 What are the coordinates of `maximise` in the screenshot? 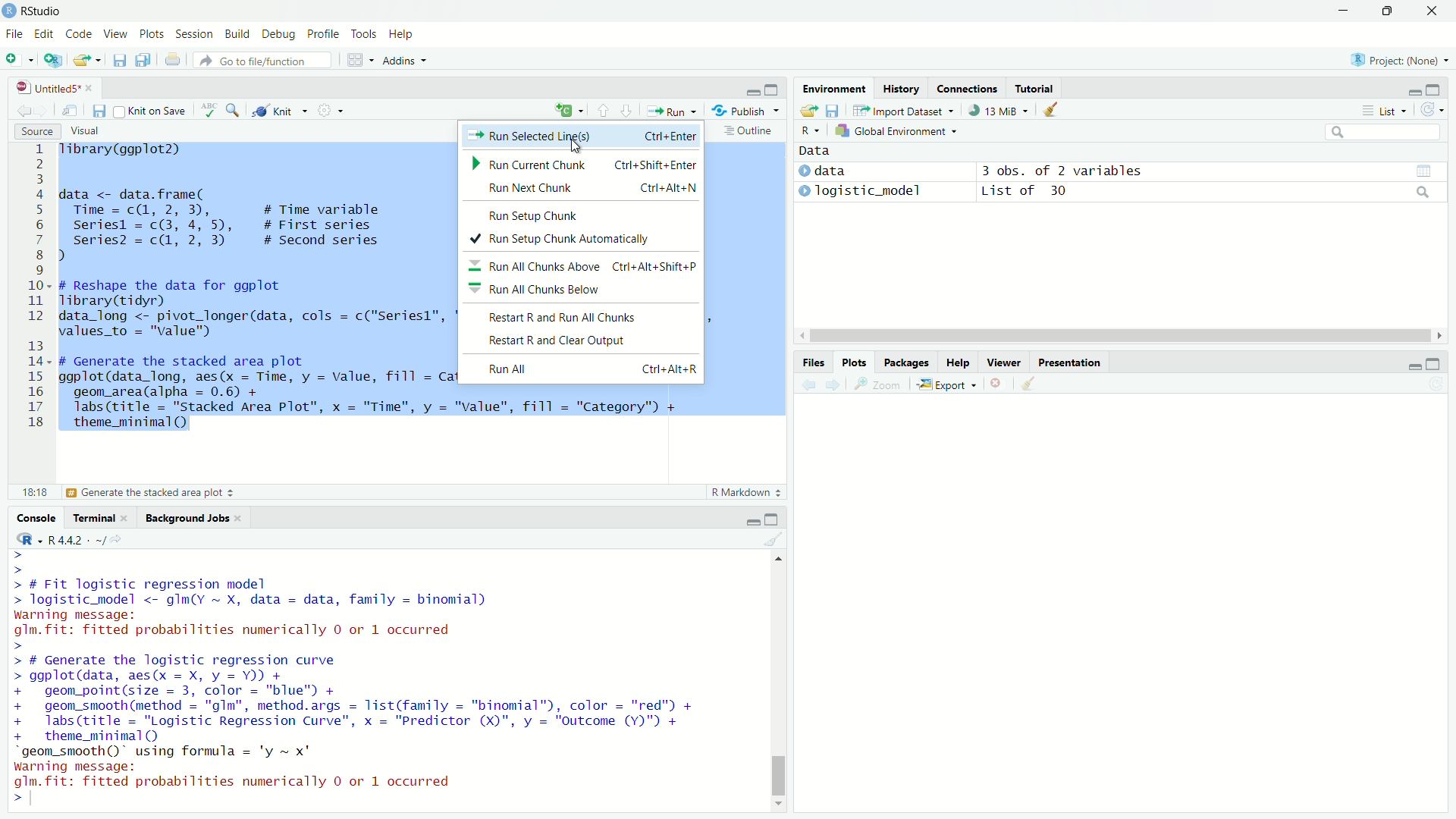 It's located at (775, 87).